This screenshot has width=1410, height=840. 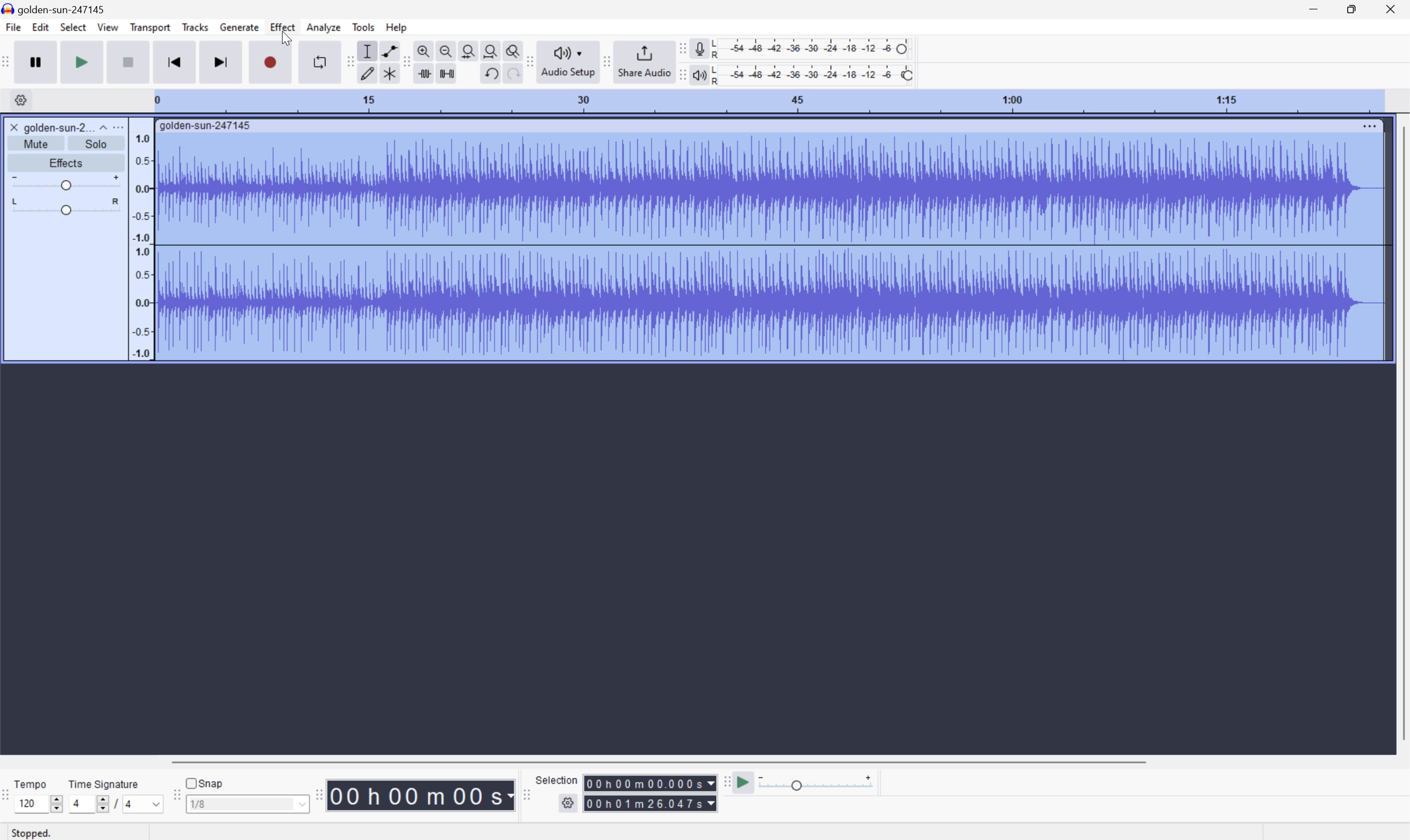 I want to click on Skip to end, so click(x=220, y=63).